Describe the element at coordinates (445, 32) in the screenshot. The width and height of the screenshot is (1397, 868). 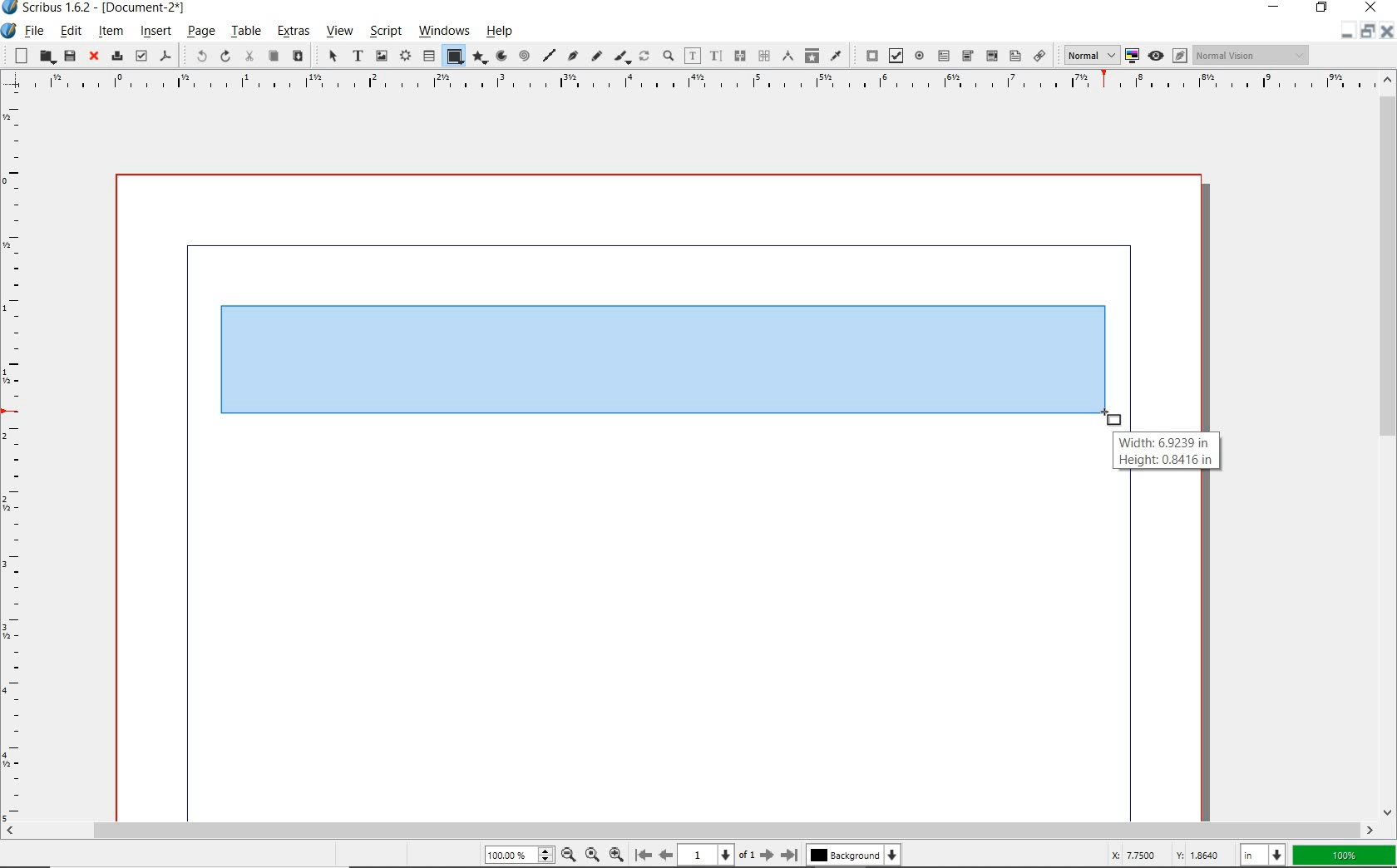
I see `windows` at that location.